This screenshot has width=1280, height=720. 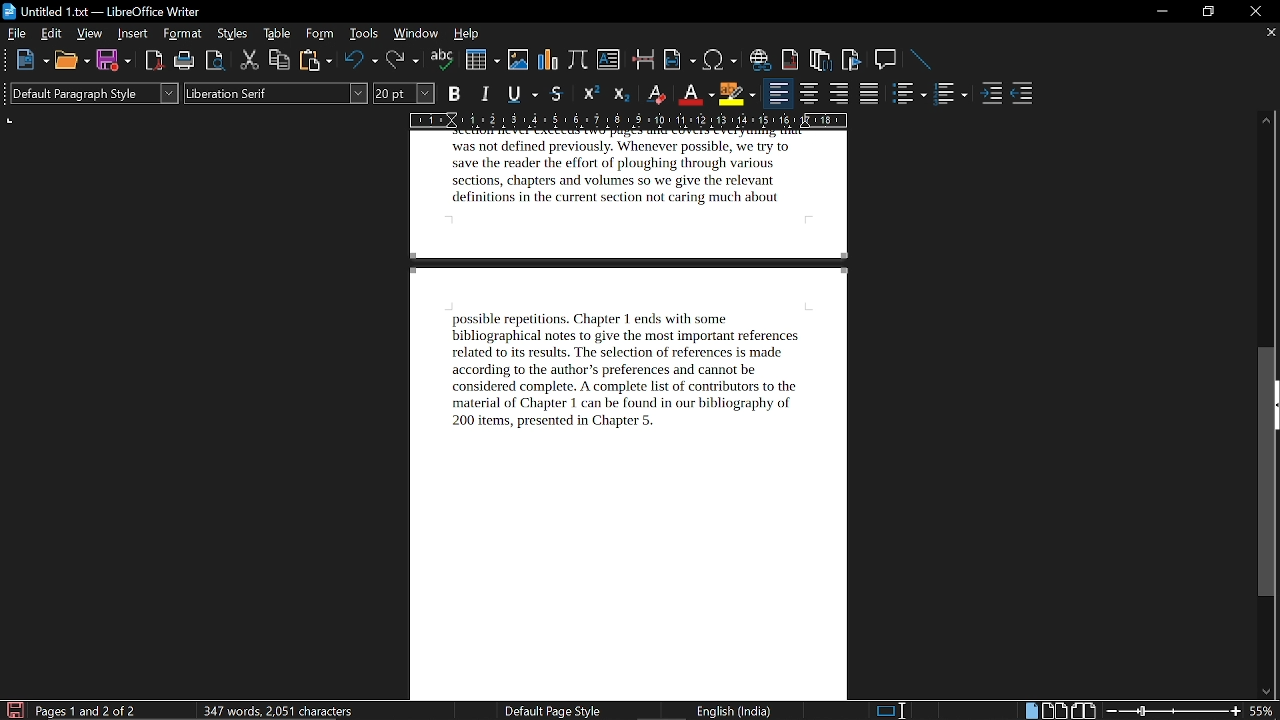 What do you see at coordinates (280, 61) in the screenshot?
I see `copy` at bounding box center [280, 61].